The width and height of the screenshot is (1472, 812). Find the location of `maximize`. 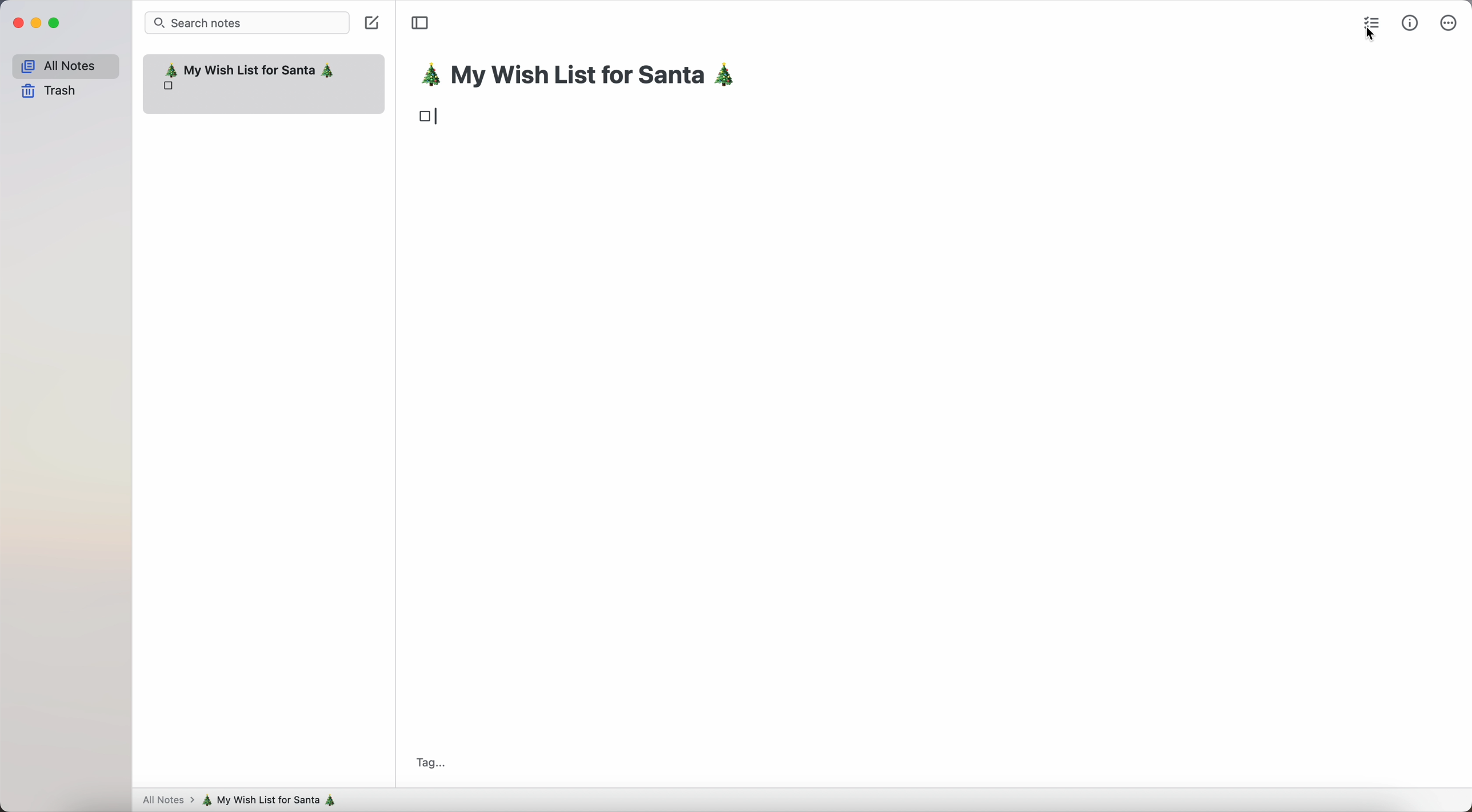

maximize is located at coordinates (57, 23).